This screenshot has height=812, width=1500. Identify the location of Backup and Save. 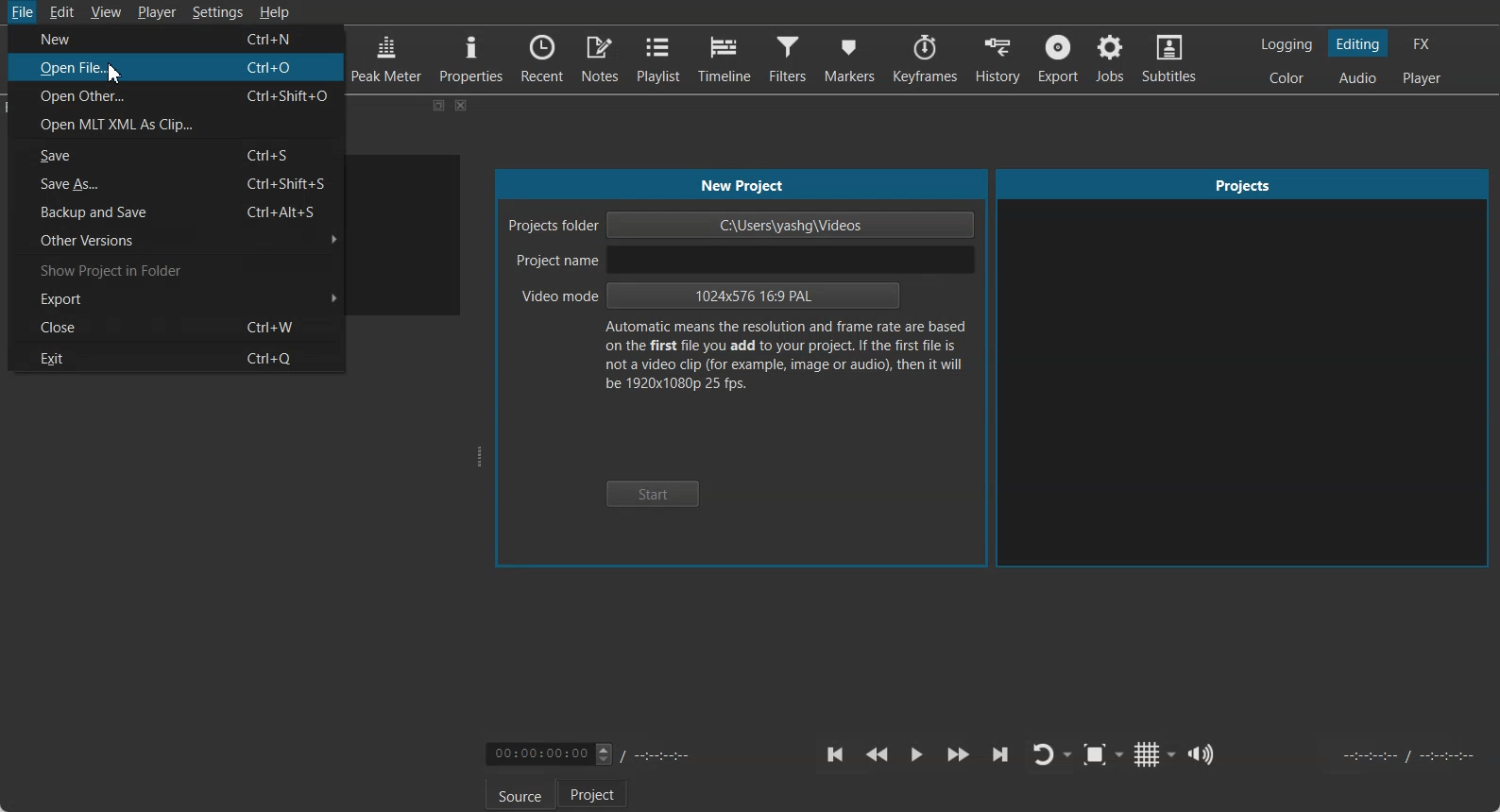
(178, 211).